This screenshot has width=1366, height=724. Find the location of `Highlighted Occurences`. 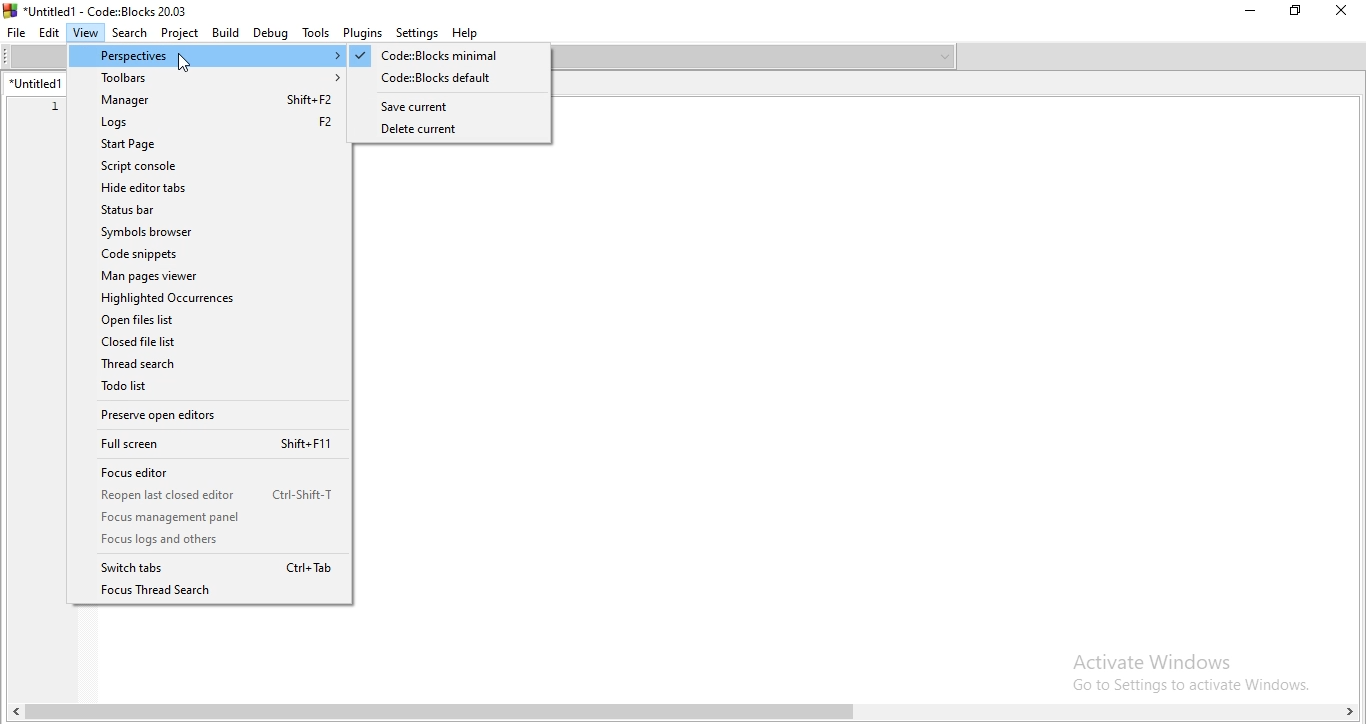

Highlighted Occurences is located at coordinates (211, 295).